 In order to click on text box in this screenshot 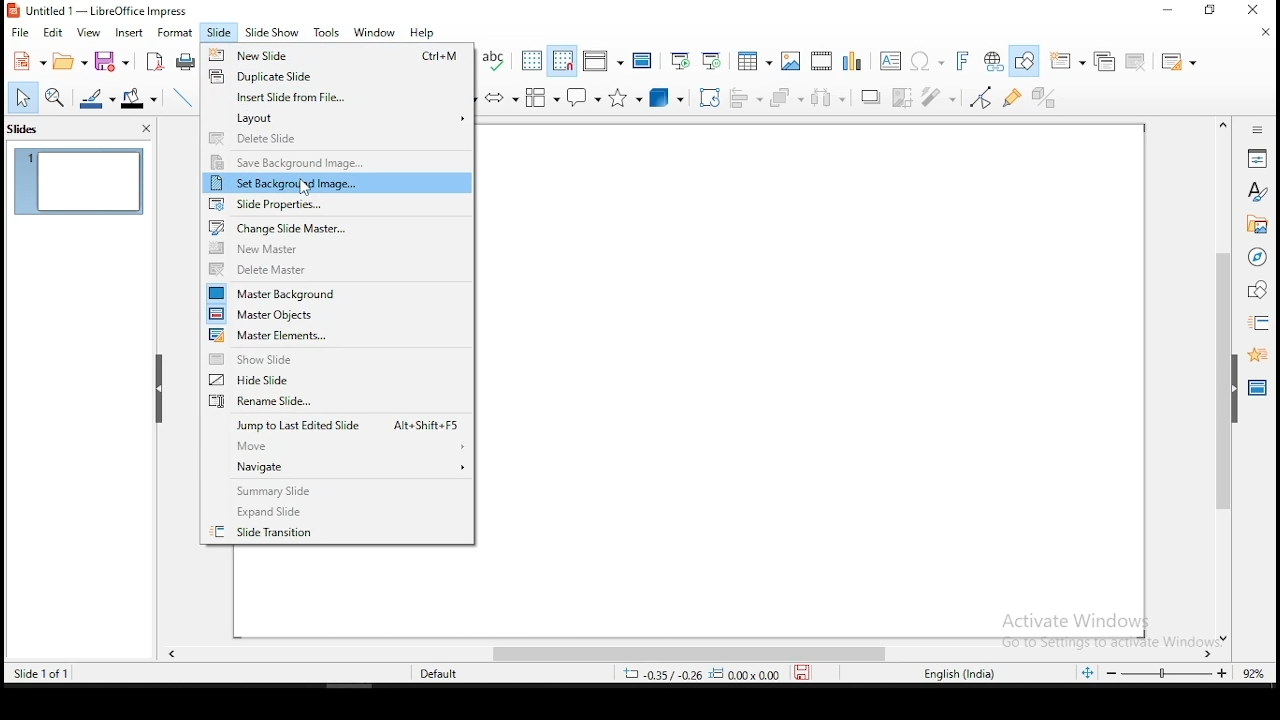, I will do `click(891, 62)`.